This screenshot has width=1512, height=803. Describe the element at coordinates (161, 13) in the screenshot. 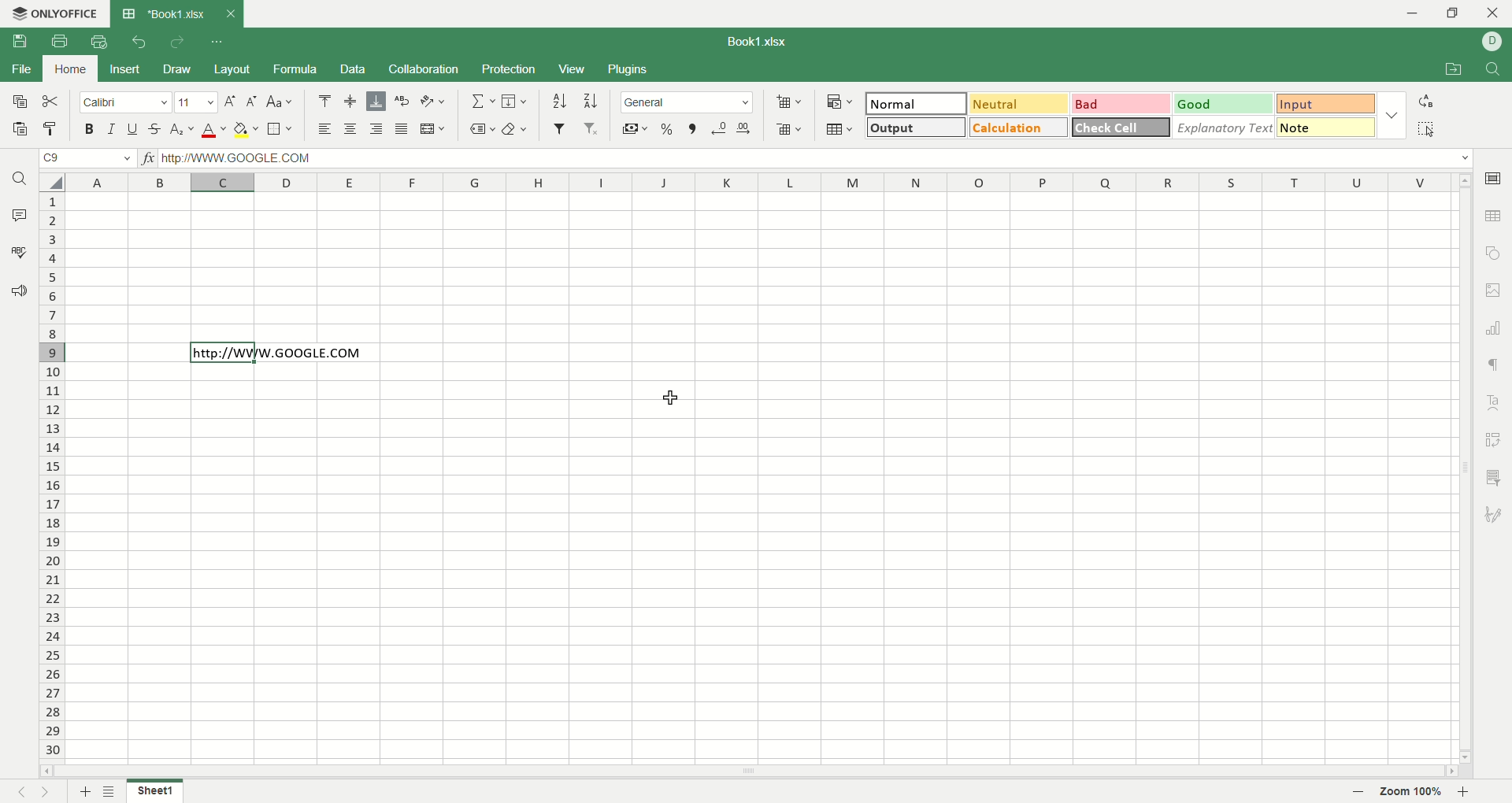

I see `sheet tab` at that location.